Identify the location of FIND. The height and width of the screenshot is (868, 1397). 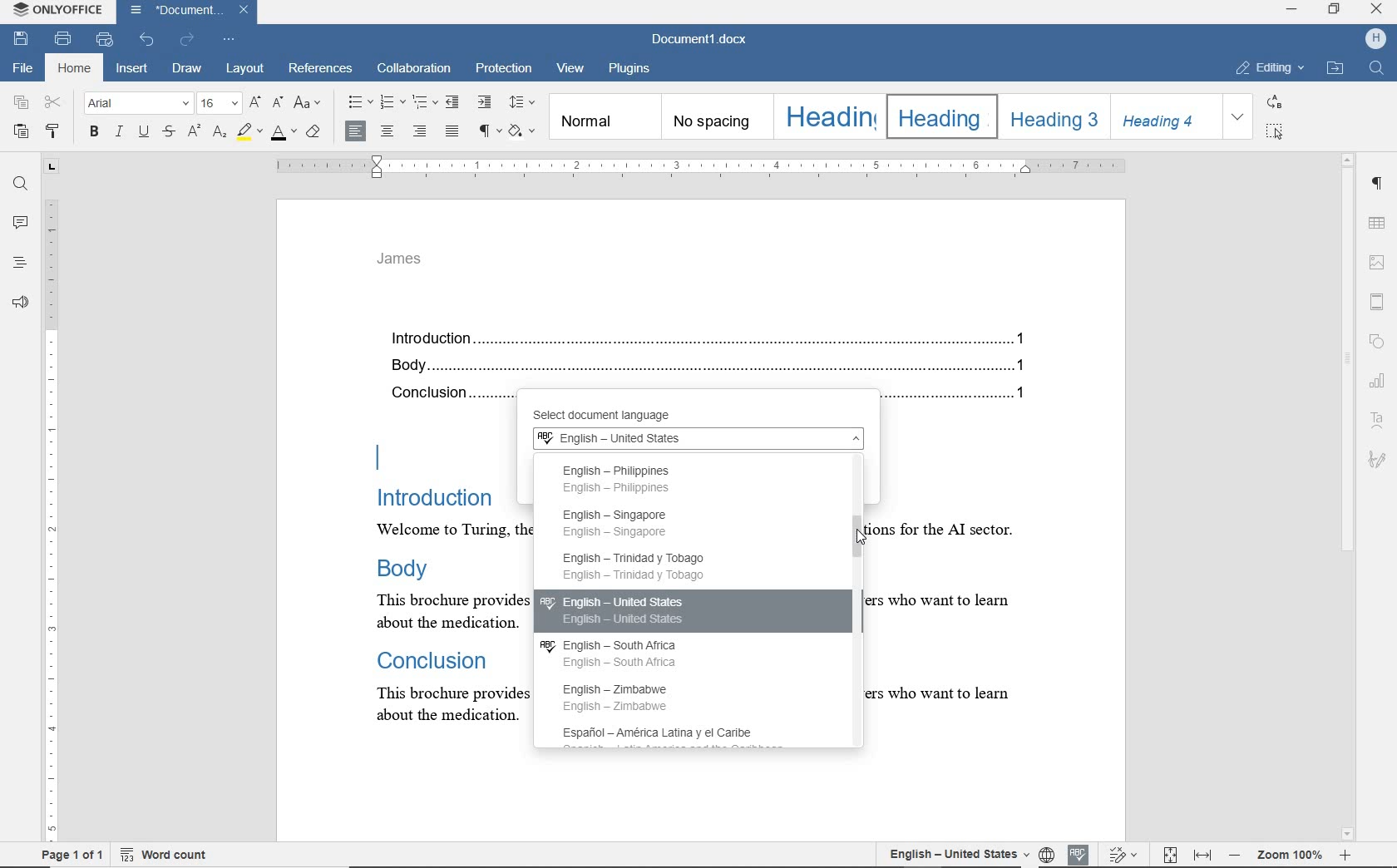
(1379, 70).